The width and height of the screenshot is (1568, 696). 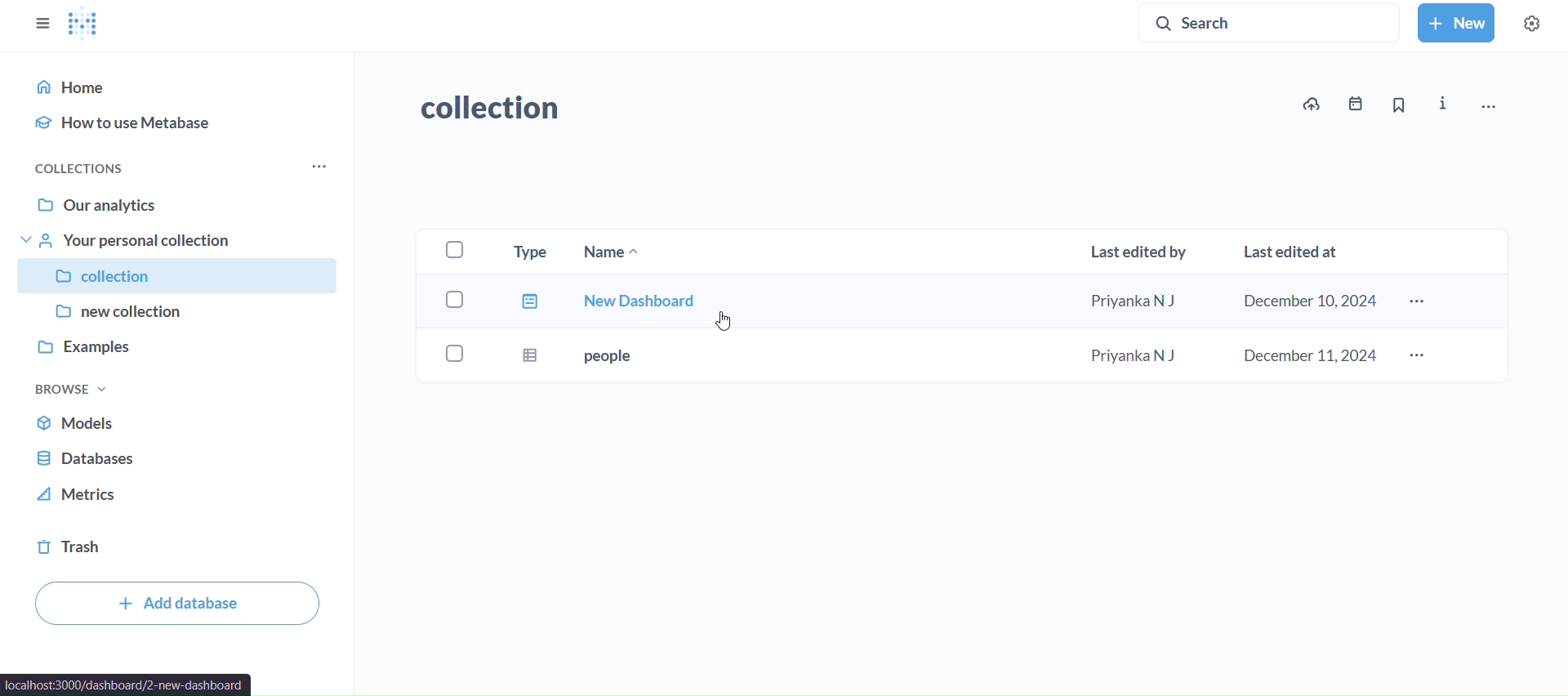 I want to click on collections, so click(x=88, y=166).